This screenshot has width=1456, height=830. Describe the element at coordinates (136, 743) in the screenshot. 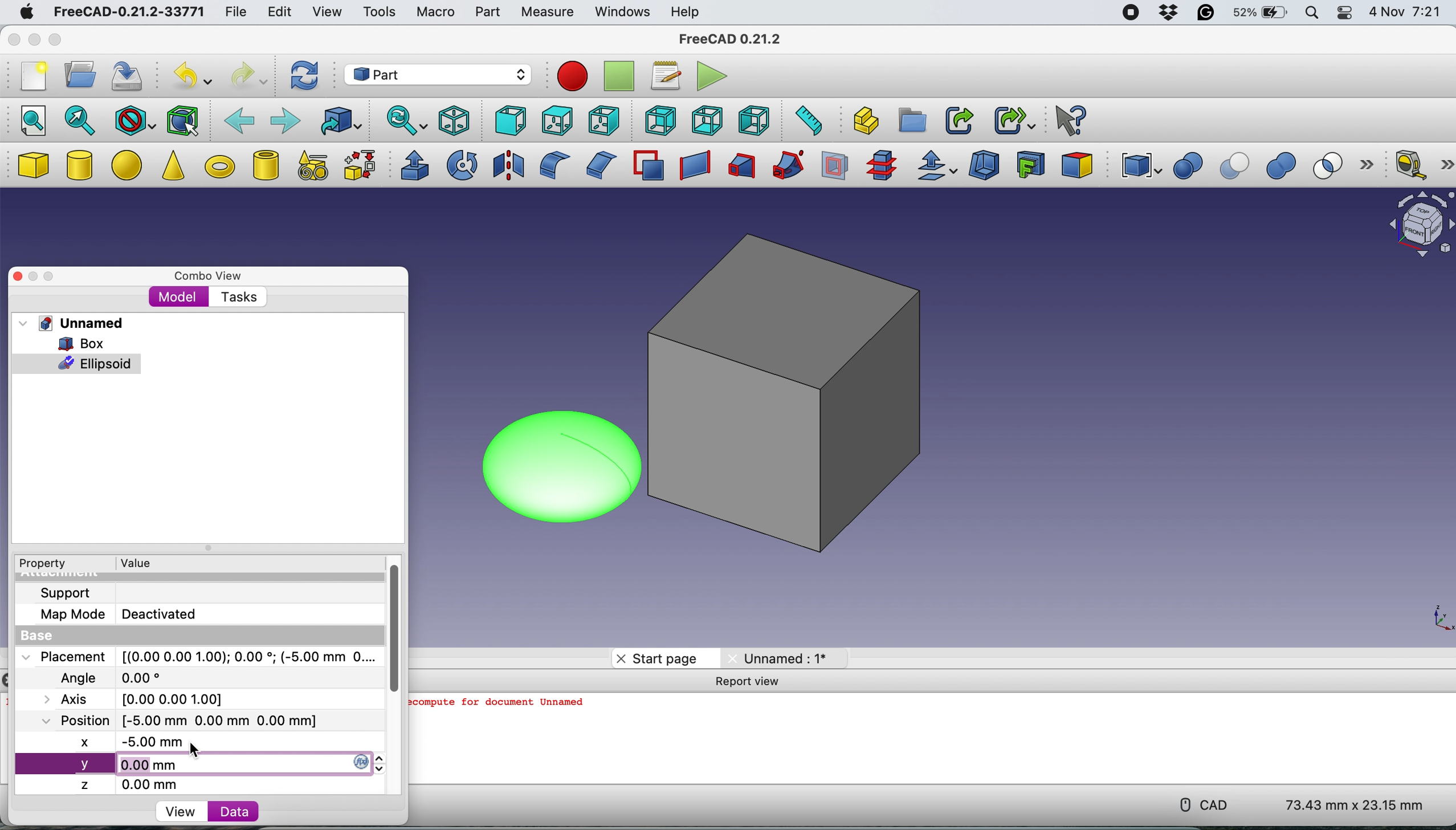

I see `x -5.00 mm` at that location.